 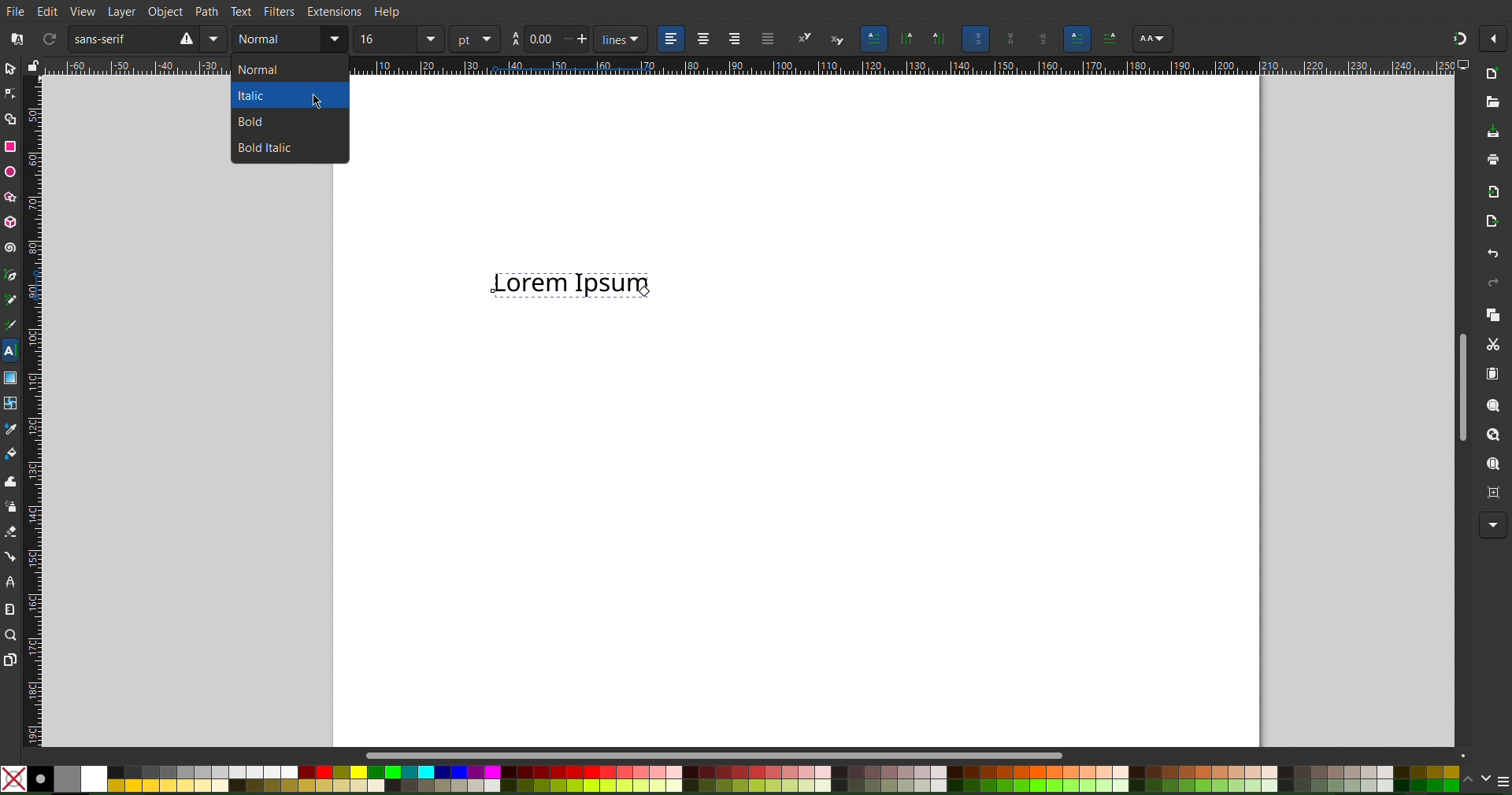 What do you see at coordinates (732, 778) in the screenshot?
I see `Colors` at bounding box center [732, 778].